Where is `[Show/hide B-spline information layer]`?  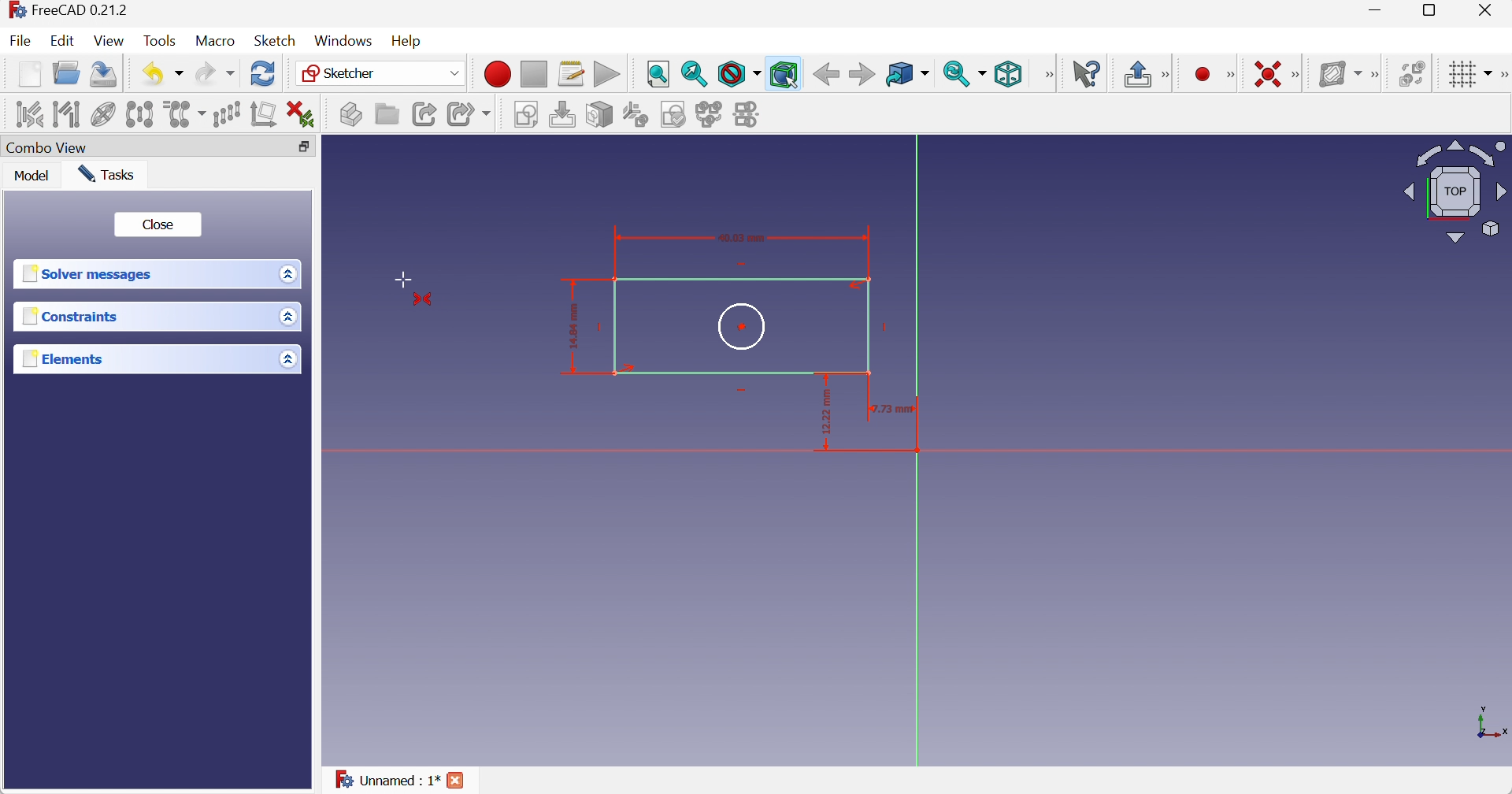
[Show/hide B-spline information layer] is located at coordinates (1340, 74).